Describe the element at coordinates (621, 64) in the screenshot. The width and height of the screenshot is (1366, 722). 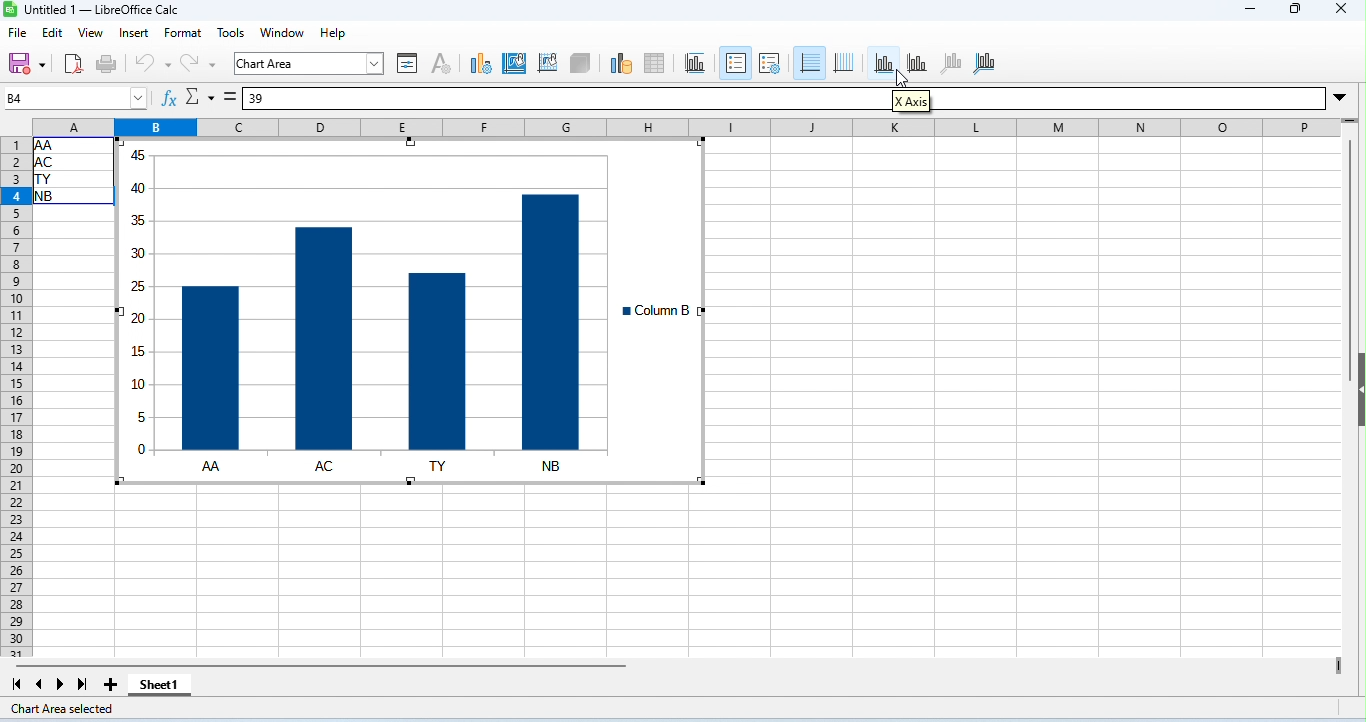
I see `data ranges` at that location.